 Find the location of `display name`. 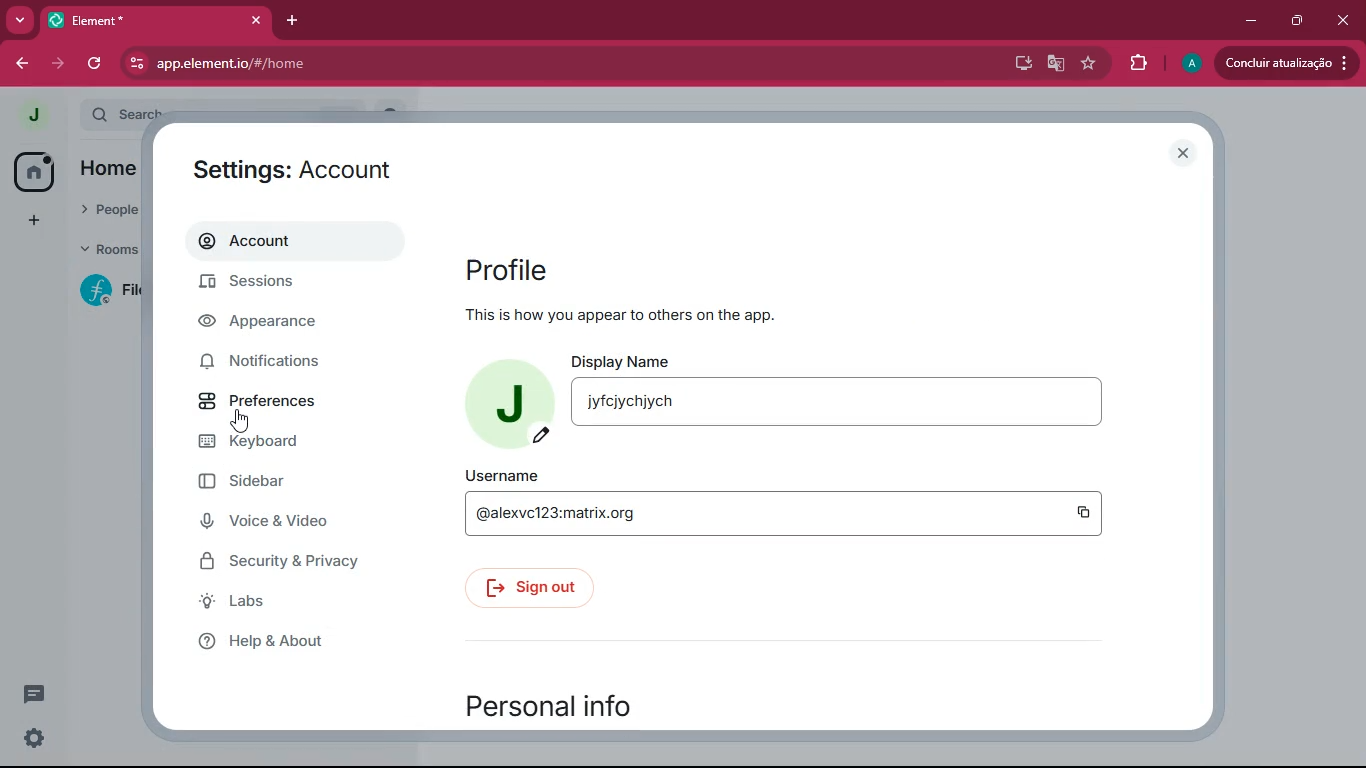

display name is located at coordinates (621, 359).